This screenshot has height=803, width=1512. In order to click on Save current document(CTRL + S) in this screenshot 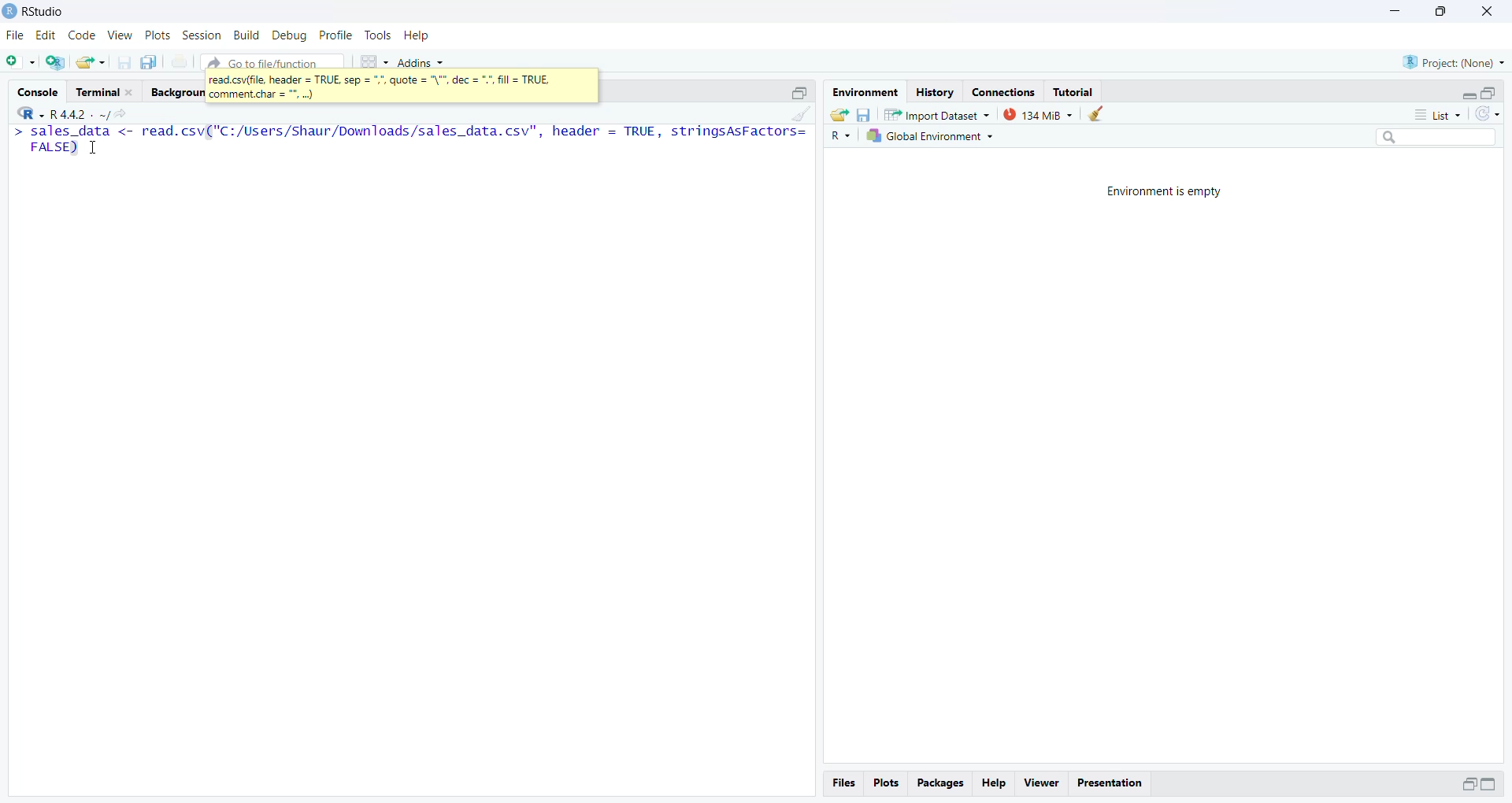, I will do `click(123, 64)`.